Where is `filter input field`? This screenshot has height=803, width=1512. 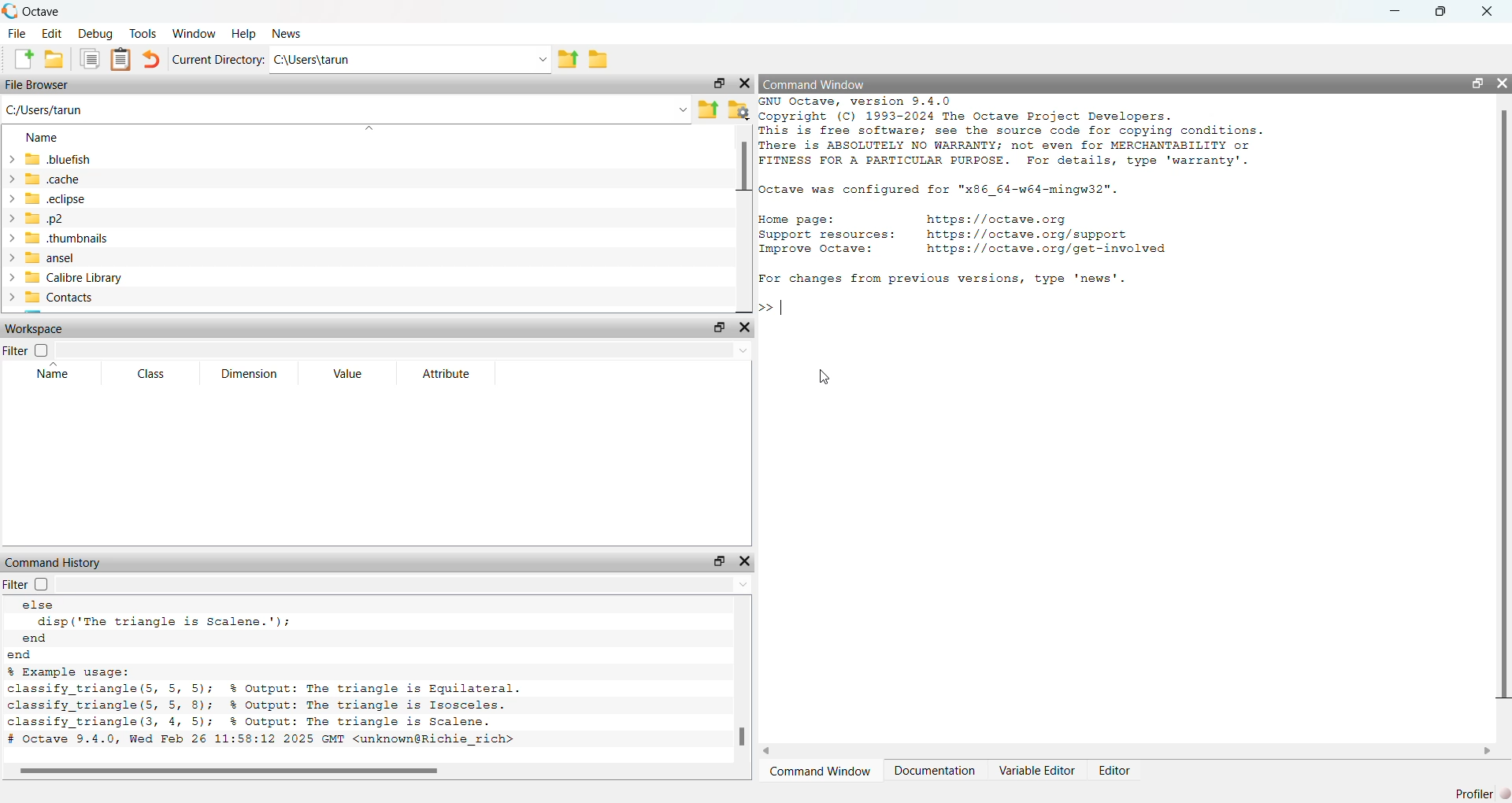
filter input field is located at coordinates (406, 351).